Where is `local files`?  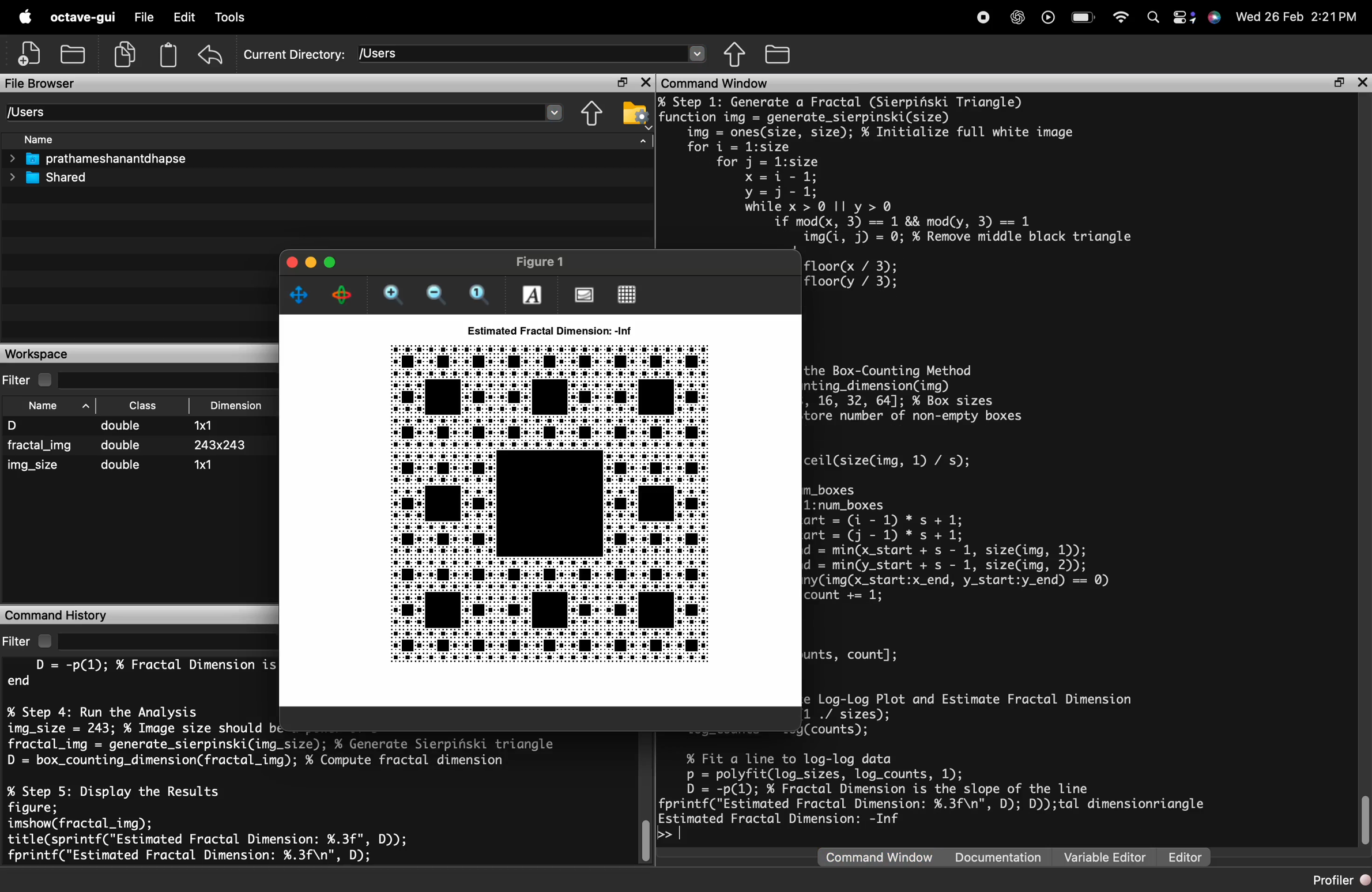
local files is located at coordinates (77, 54).